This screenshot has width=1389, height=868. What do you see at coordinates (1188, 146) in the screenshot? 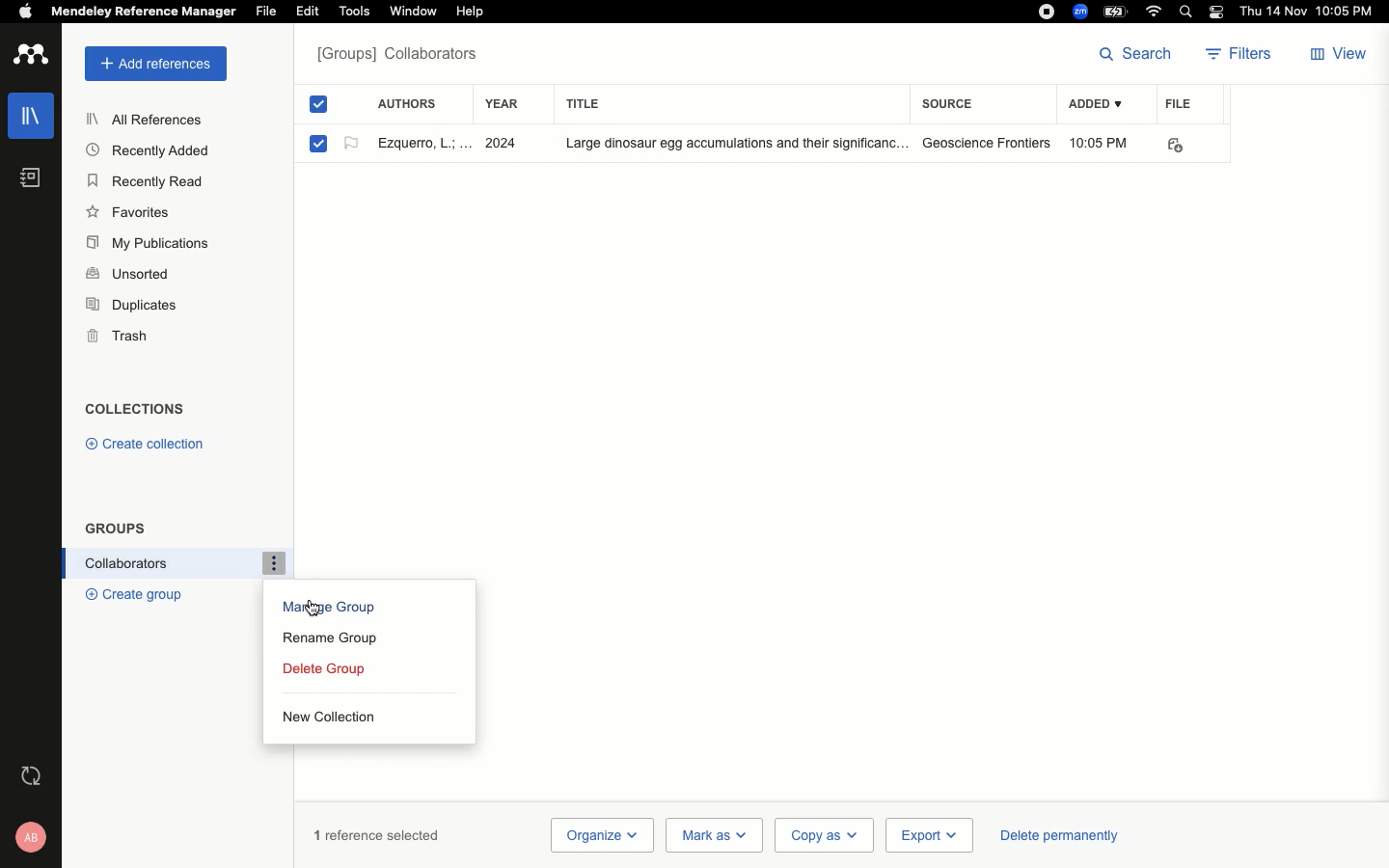
I see `PDF` at bounding box center [1188, 146].